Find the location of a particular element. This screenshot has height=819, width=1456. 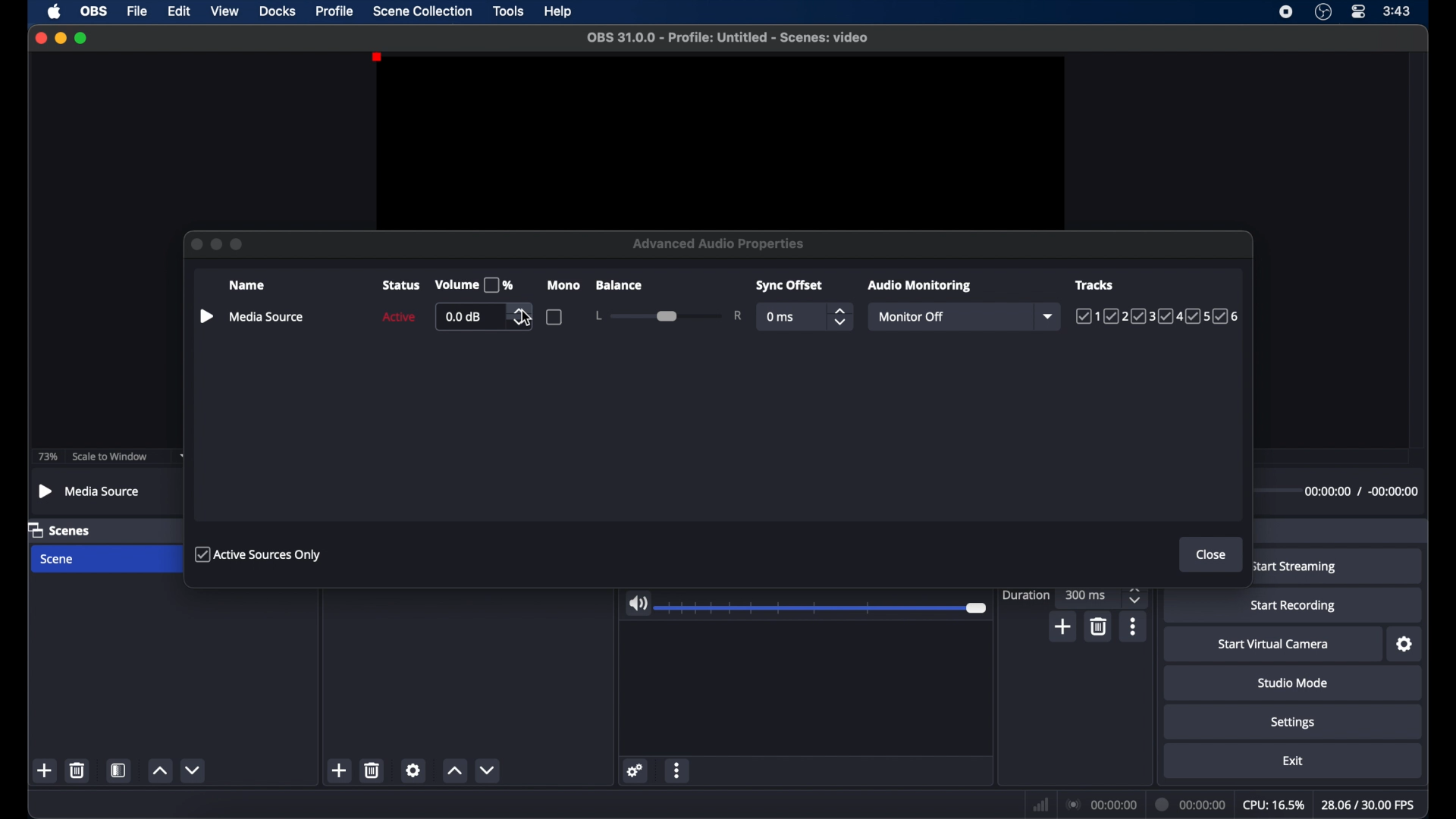

stepper buttons is located at coordinates (522, 317).